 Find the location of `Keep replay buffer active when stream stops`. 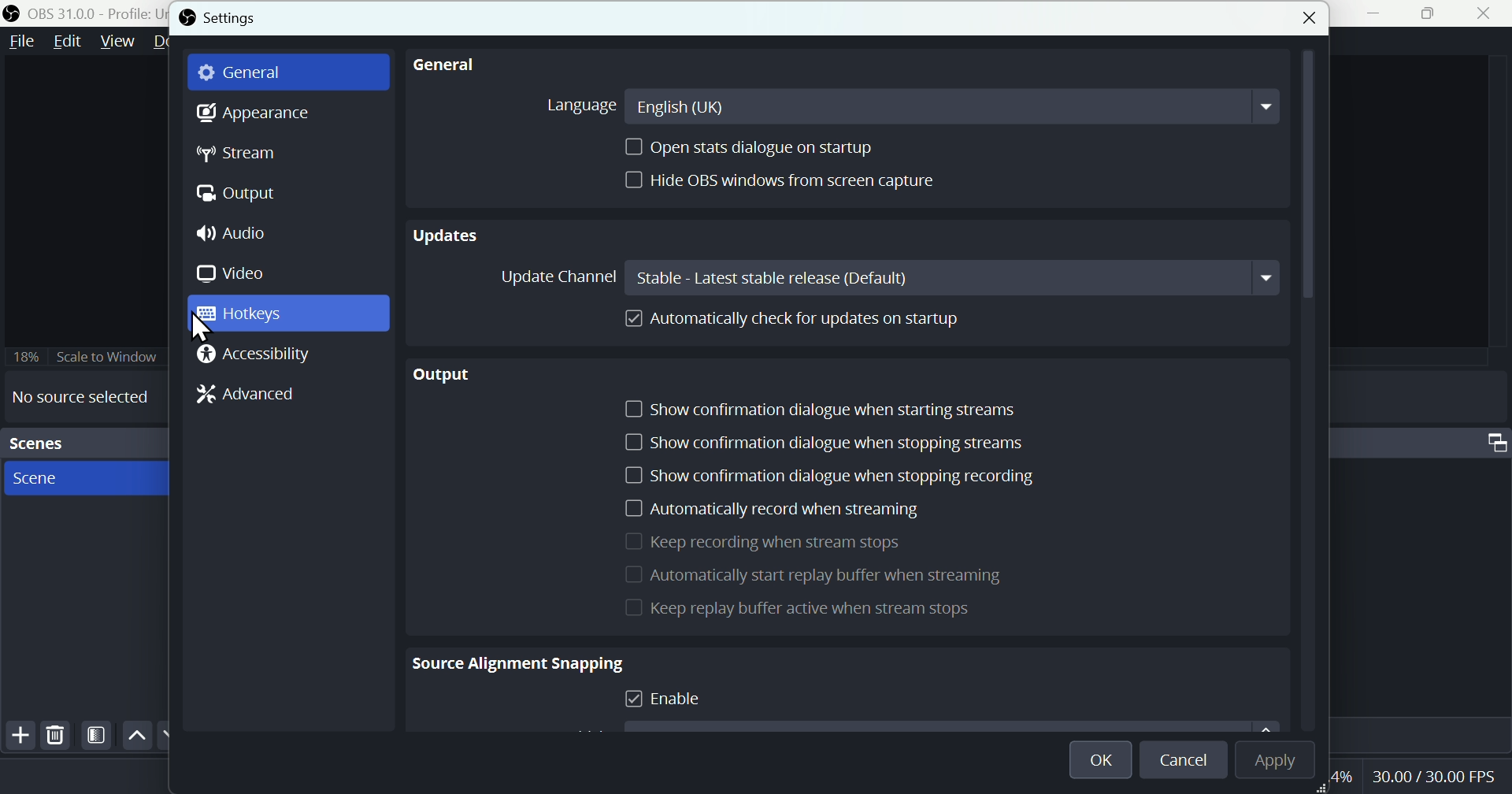

Keep replay buffer active when stream stops is located at coordinates (798, 614).